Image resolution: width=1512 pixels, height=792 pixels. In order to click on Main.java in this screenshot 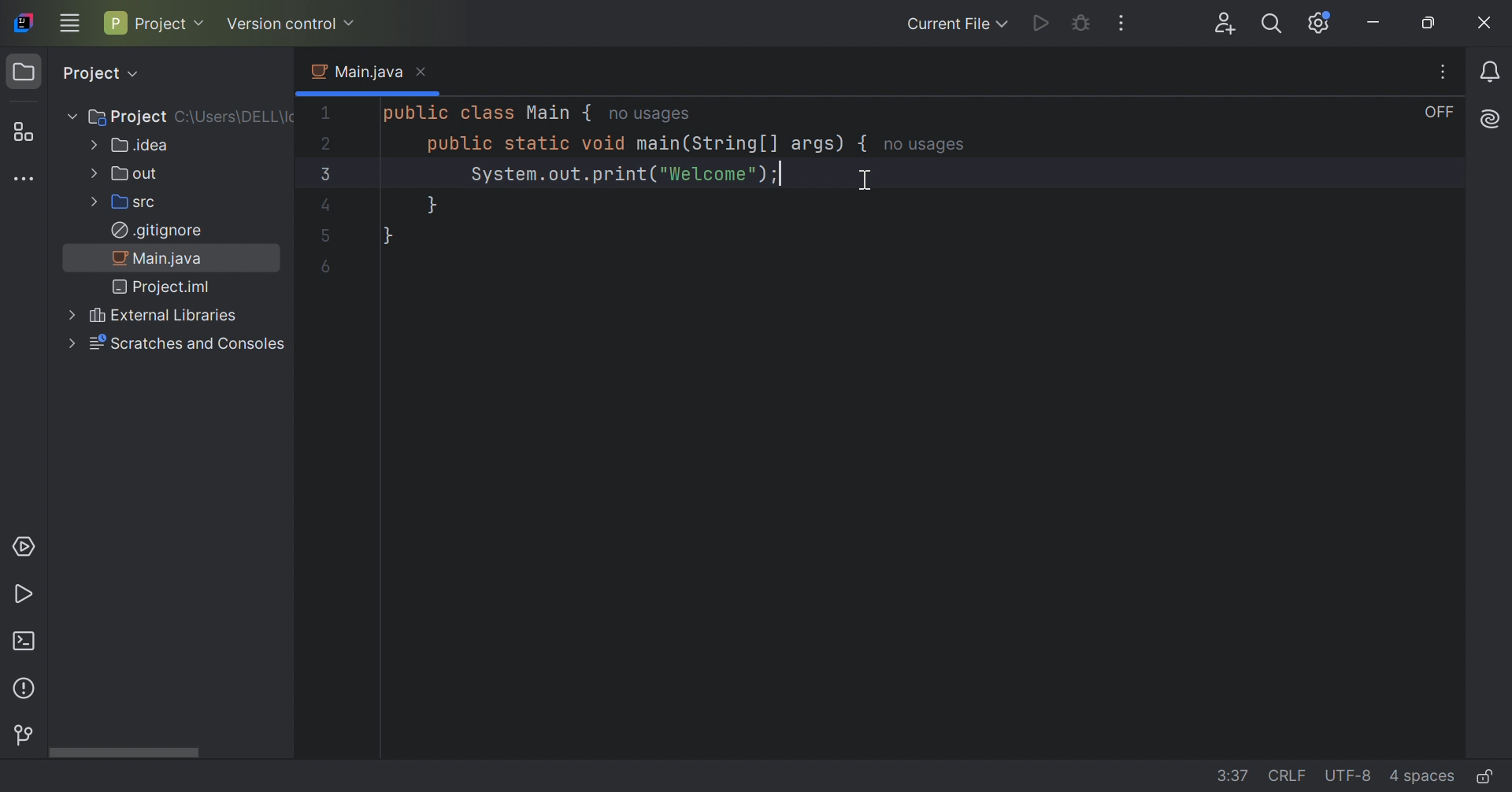, I will do `click(354, 72)`.